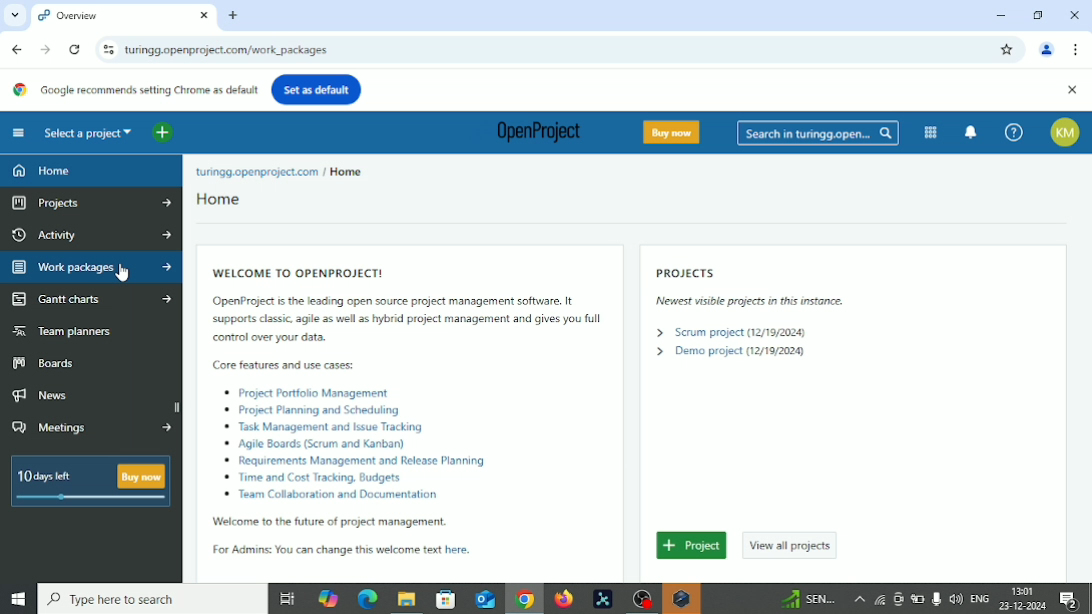 This screenshot has height=614, width=1092. Describe the element at coordinates (330, 597) in the screenshot. I see `Copilot` at that location.